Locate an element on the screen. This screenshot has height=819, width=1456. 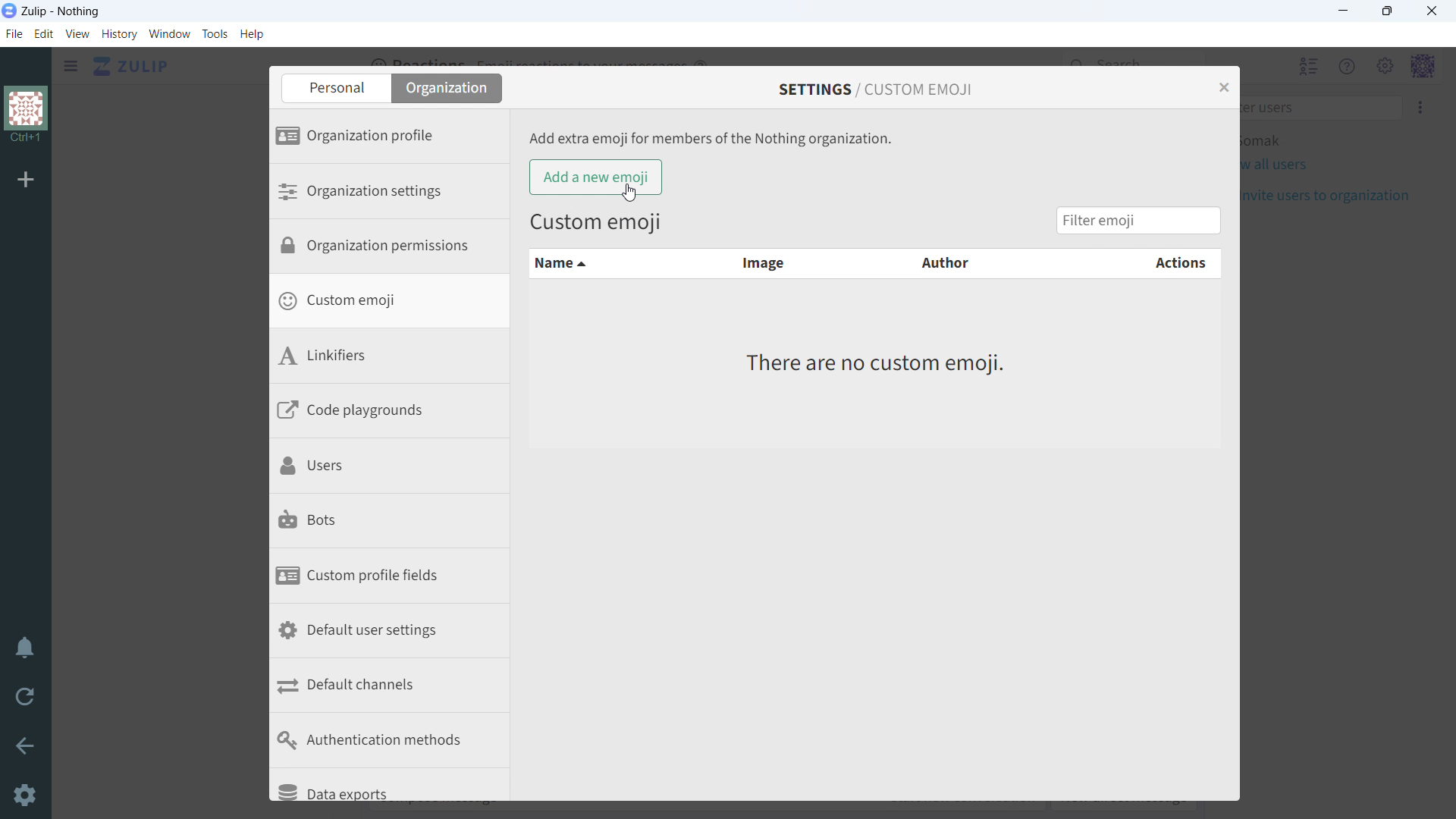
organization is located at coordinates (25, 116).